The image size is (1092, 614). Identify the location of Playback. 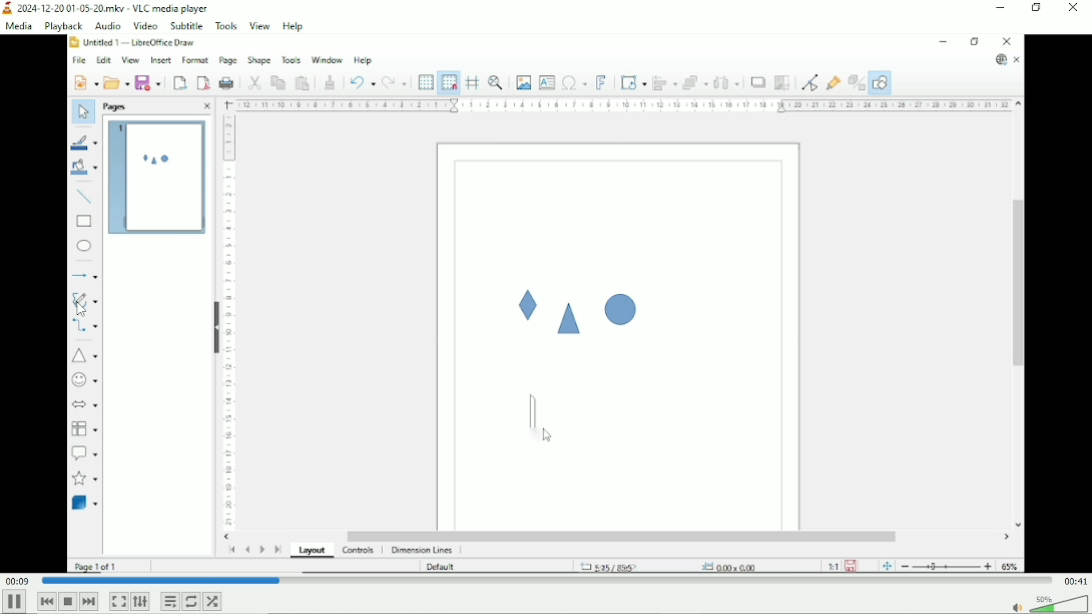
(63, 26).